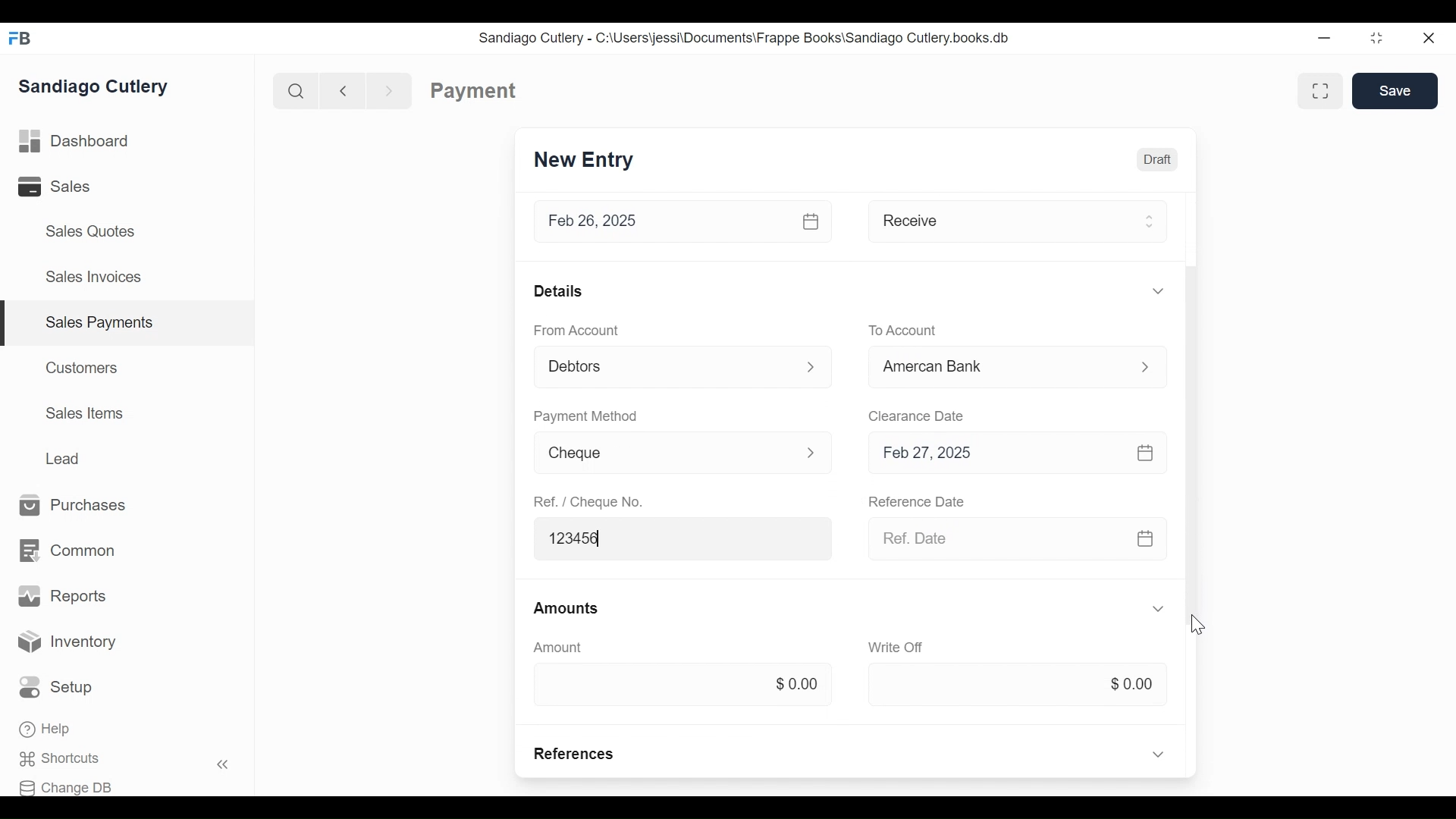 The height and width of the screenshot is (819, 1456). What do you see at coordinates (661, 454) in the screenshot?
I see `Cheque` at bounding box center [661, 454].